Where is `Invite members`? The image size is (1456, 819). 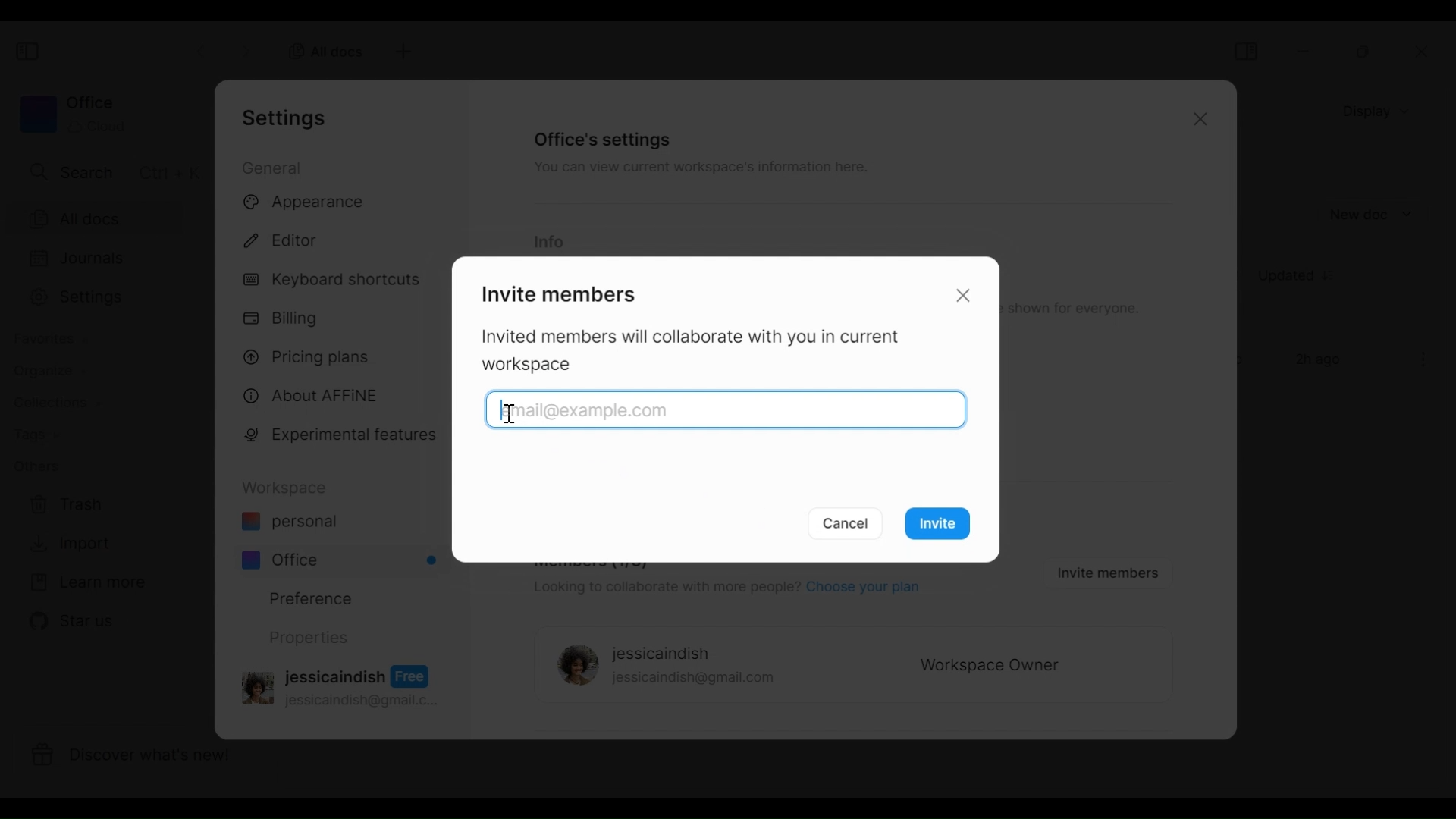
Invite members is located at coordinates (556, 292).